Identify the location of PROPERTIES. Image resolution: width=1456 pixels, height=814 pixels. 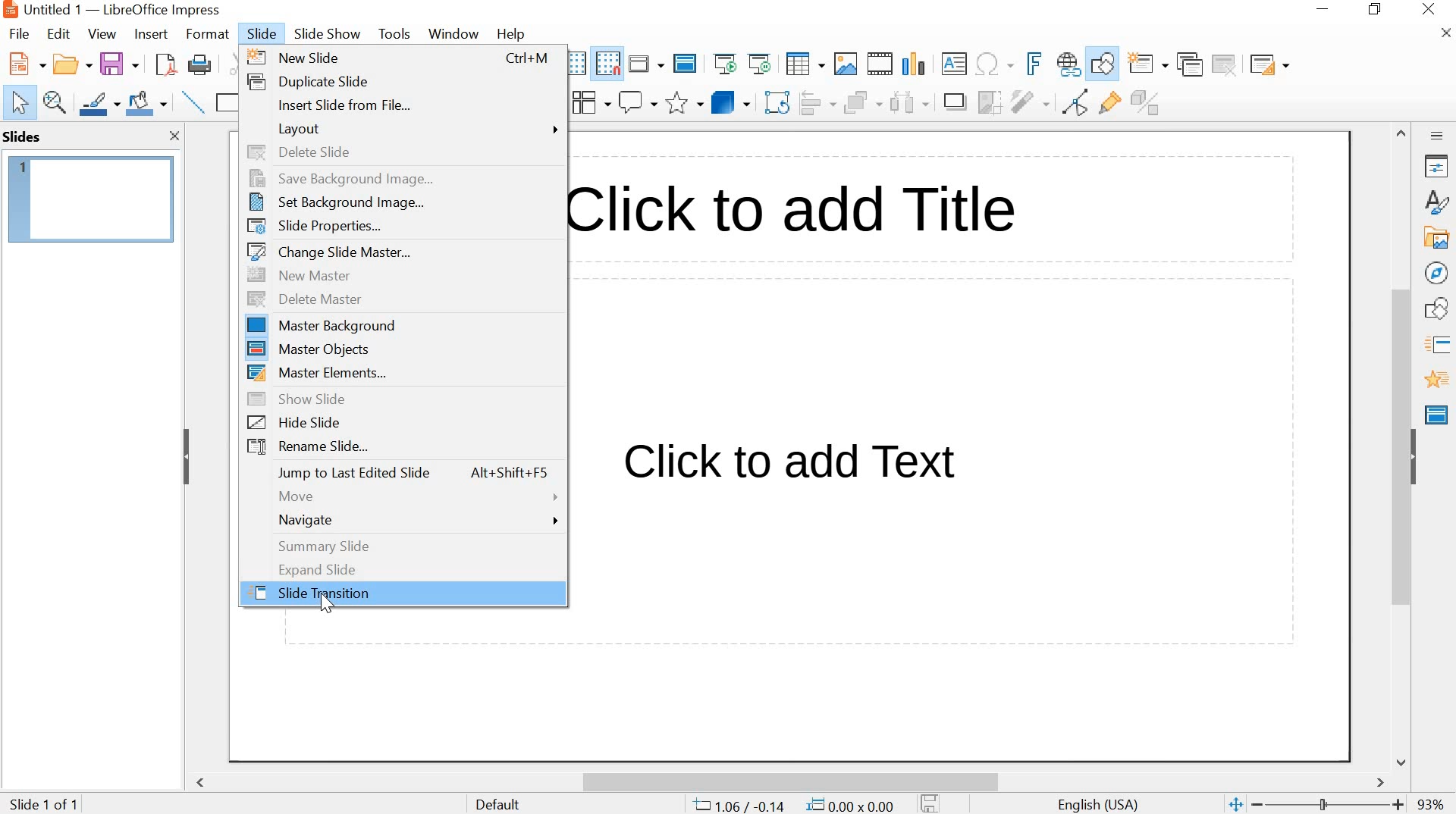
(1438, 167).